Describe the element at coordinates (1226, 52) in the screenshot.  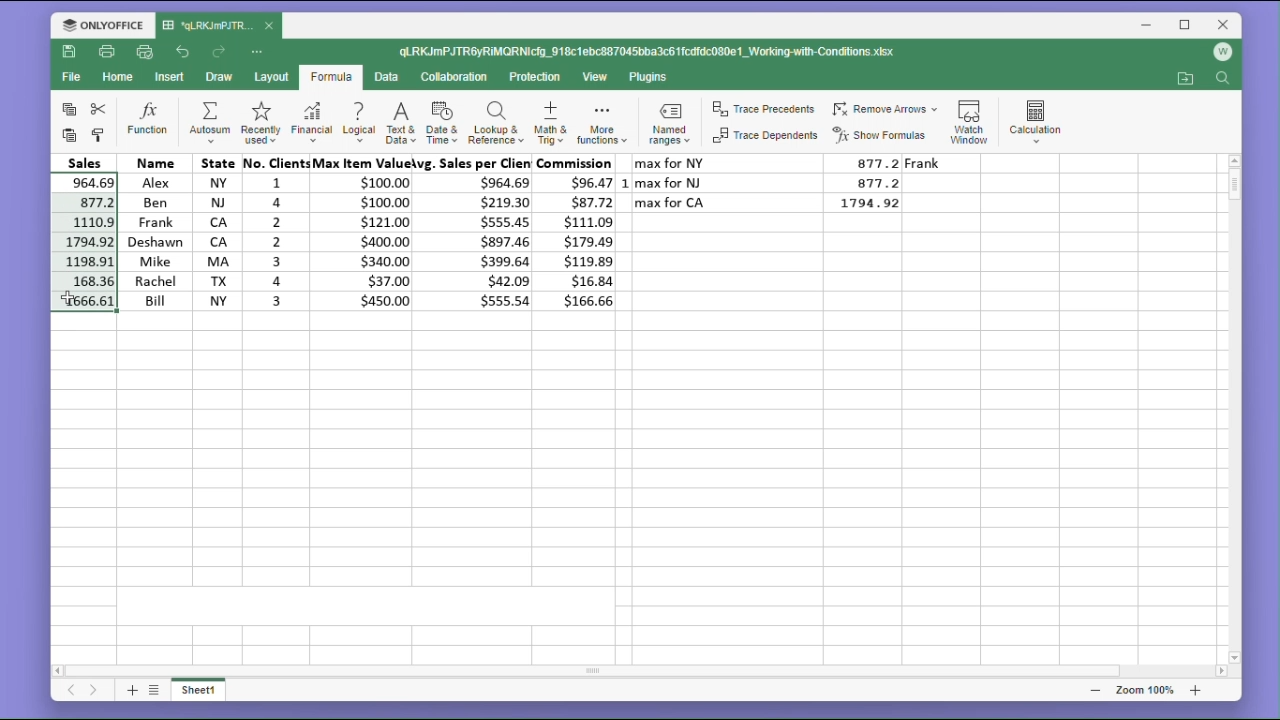
I see `account  logo` at that location.